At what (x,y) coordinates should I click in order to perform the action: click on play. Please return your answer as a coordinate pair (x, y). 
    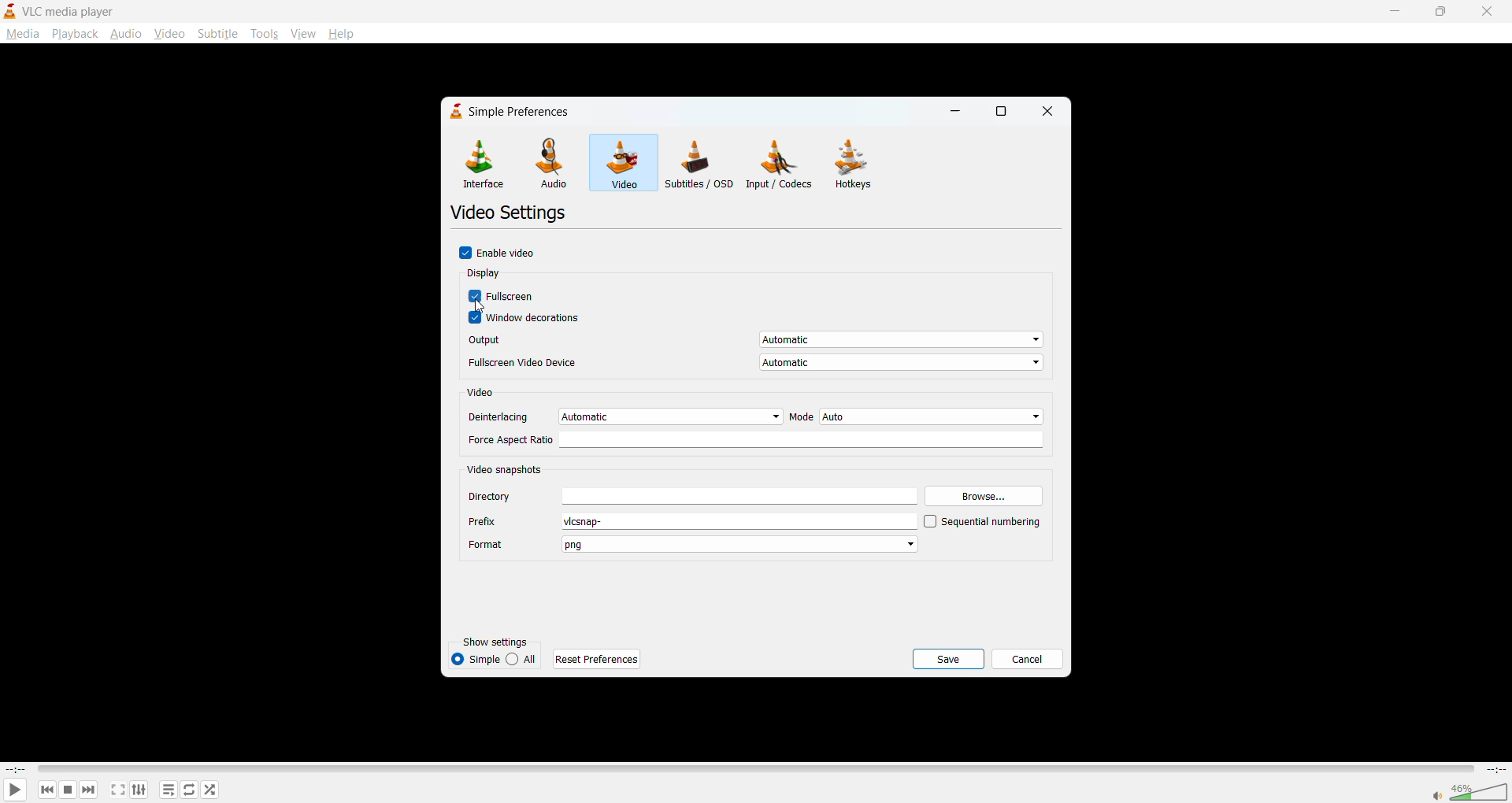
    Looking at the image, I should click on (13, 789).